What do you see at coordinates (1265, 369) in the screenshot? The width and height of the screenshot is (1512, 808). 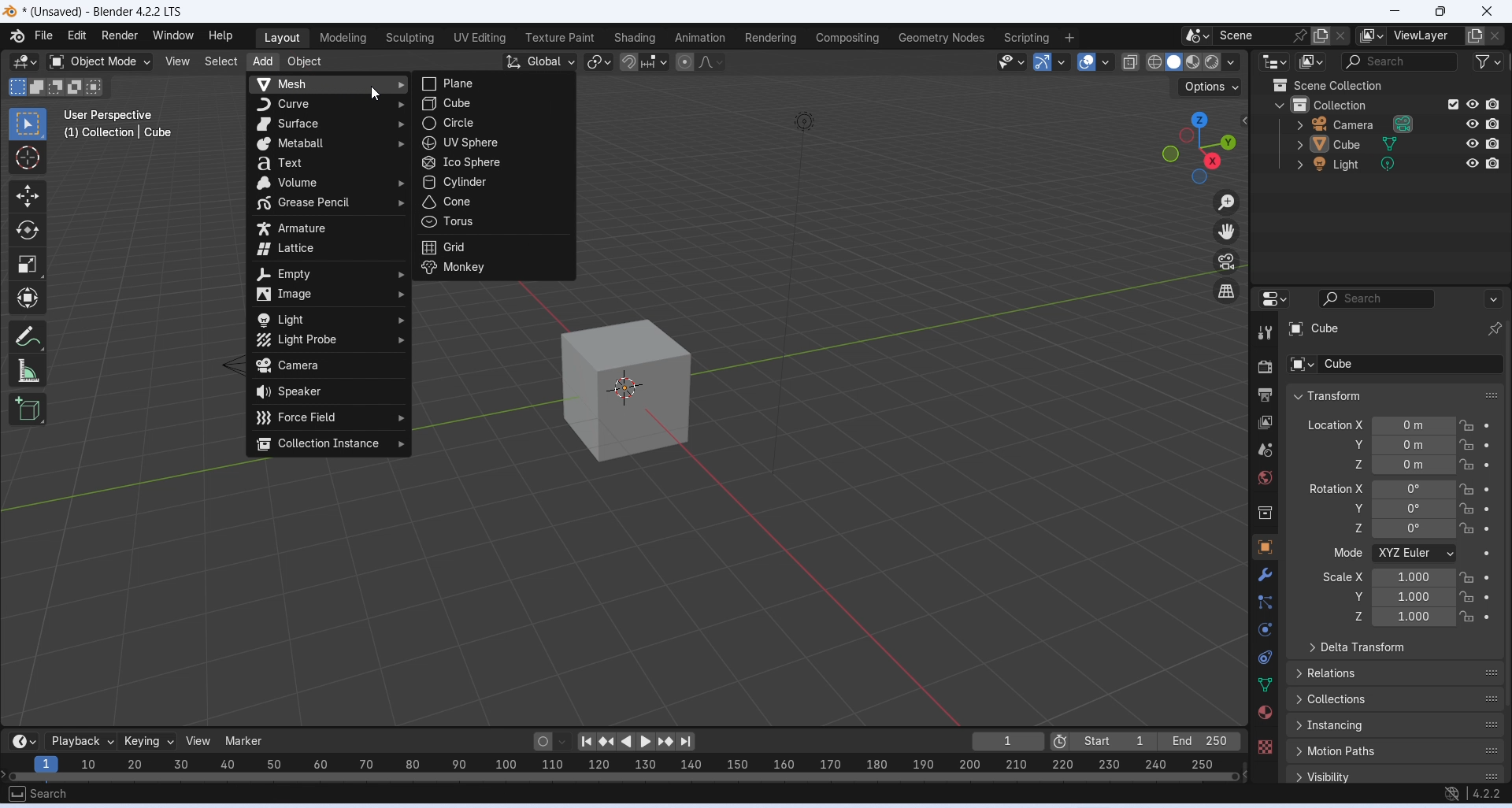 I see `render` at bounding box center [1265, 369].